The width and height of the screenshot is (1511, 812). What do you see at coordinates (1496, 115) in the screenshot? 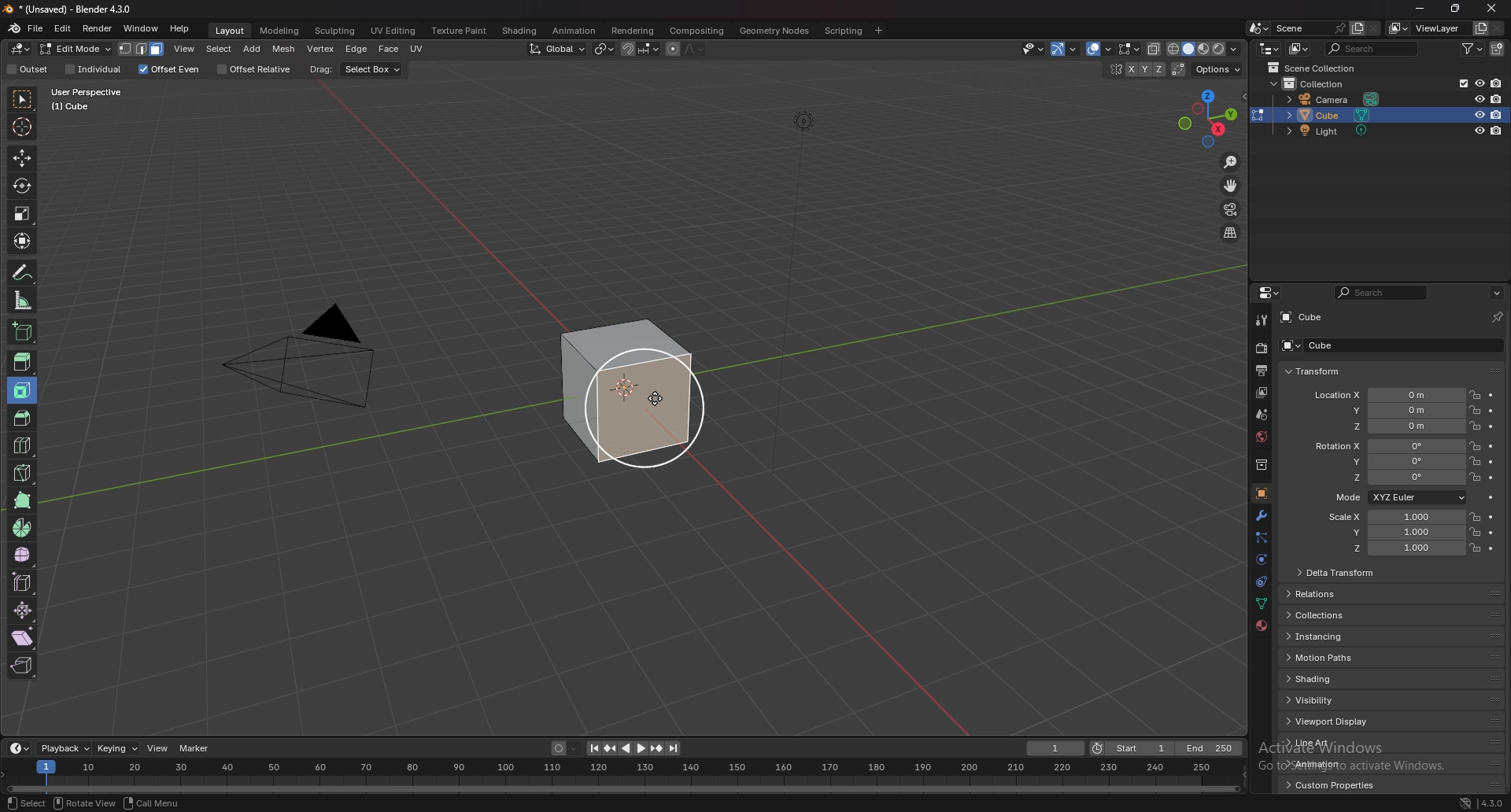
I see `disable in render` at bounding box center [1496, 115].